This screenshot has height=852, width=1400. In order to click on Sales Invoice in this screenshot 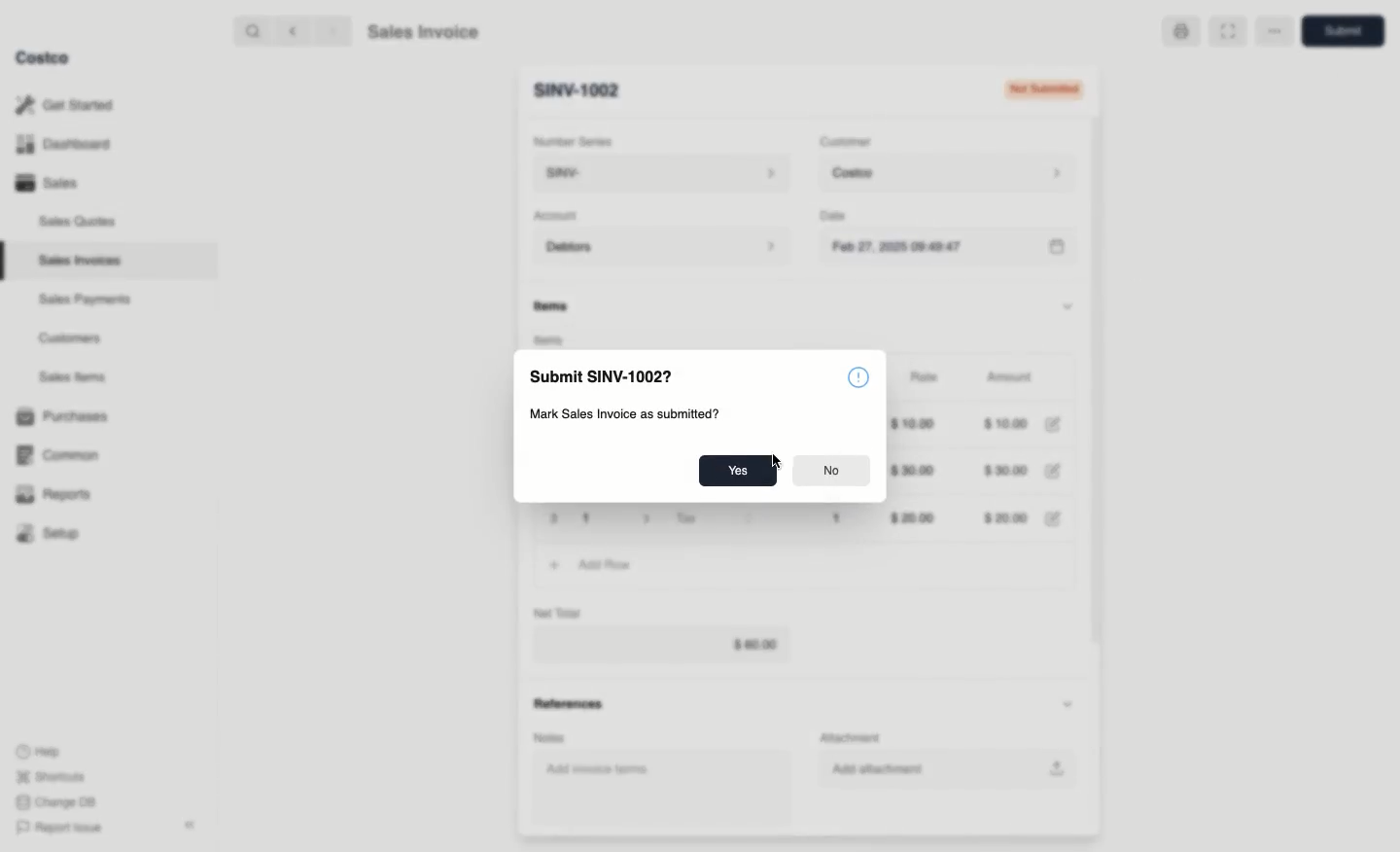, I will do `click(422, 32)`.